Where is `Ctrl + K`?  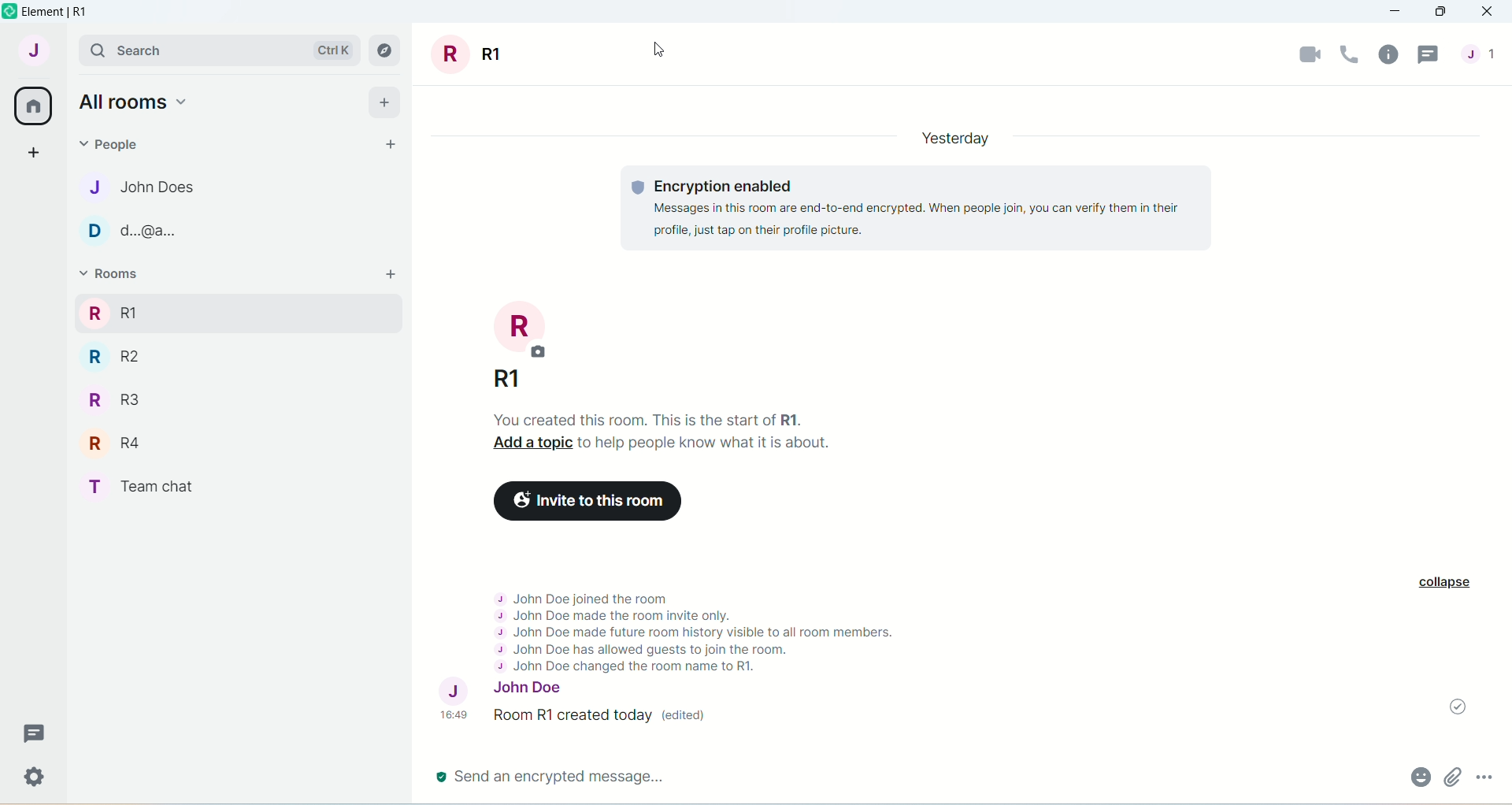 Ctrl + K is located at coordinates (339, 50).